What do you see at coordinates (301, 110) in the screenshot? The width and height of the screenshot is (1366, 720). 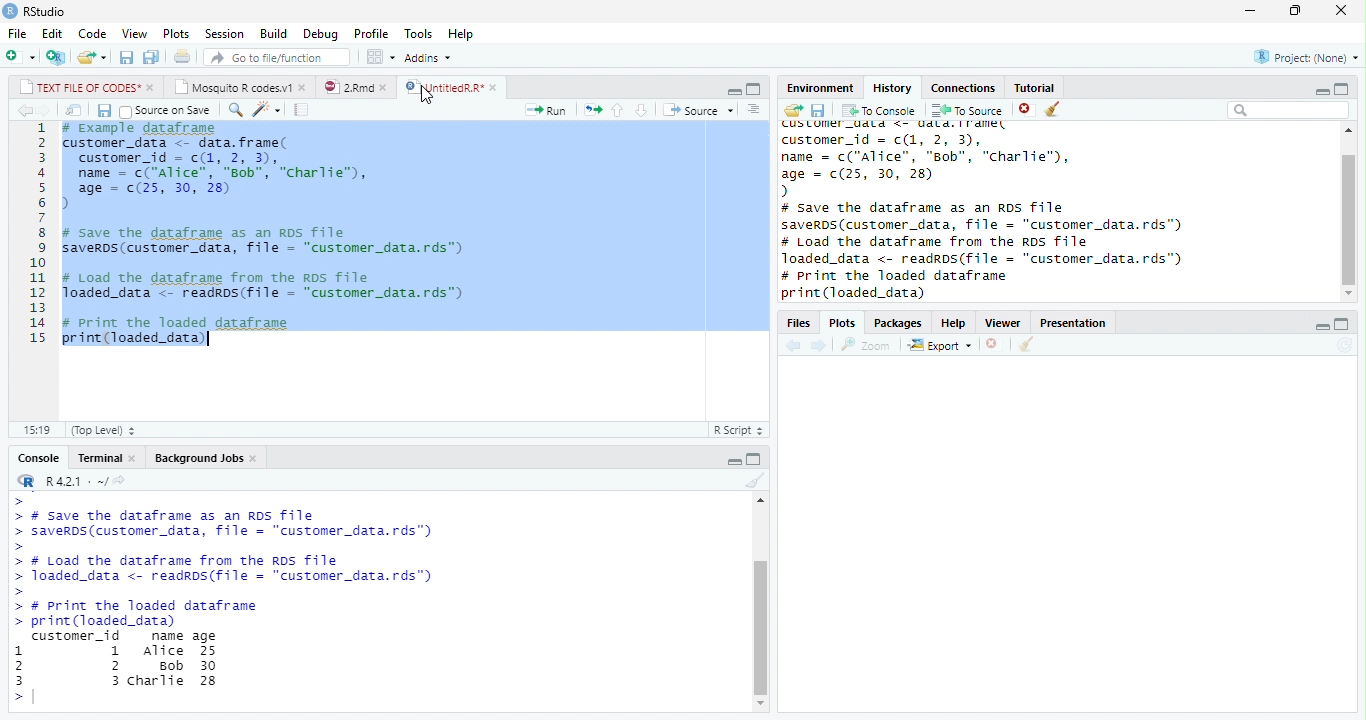 I see `compile report` at bounding box center [301, 110].